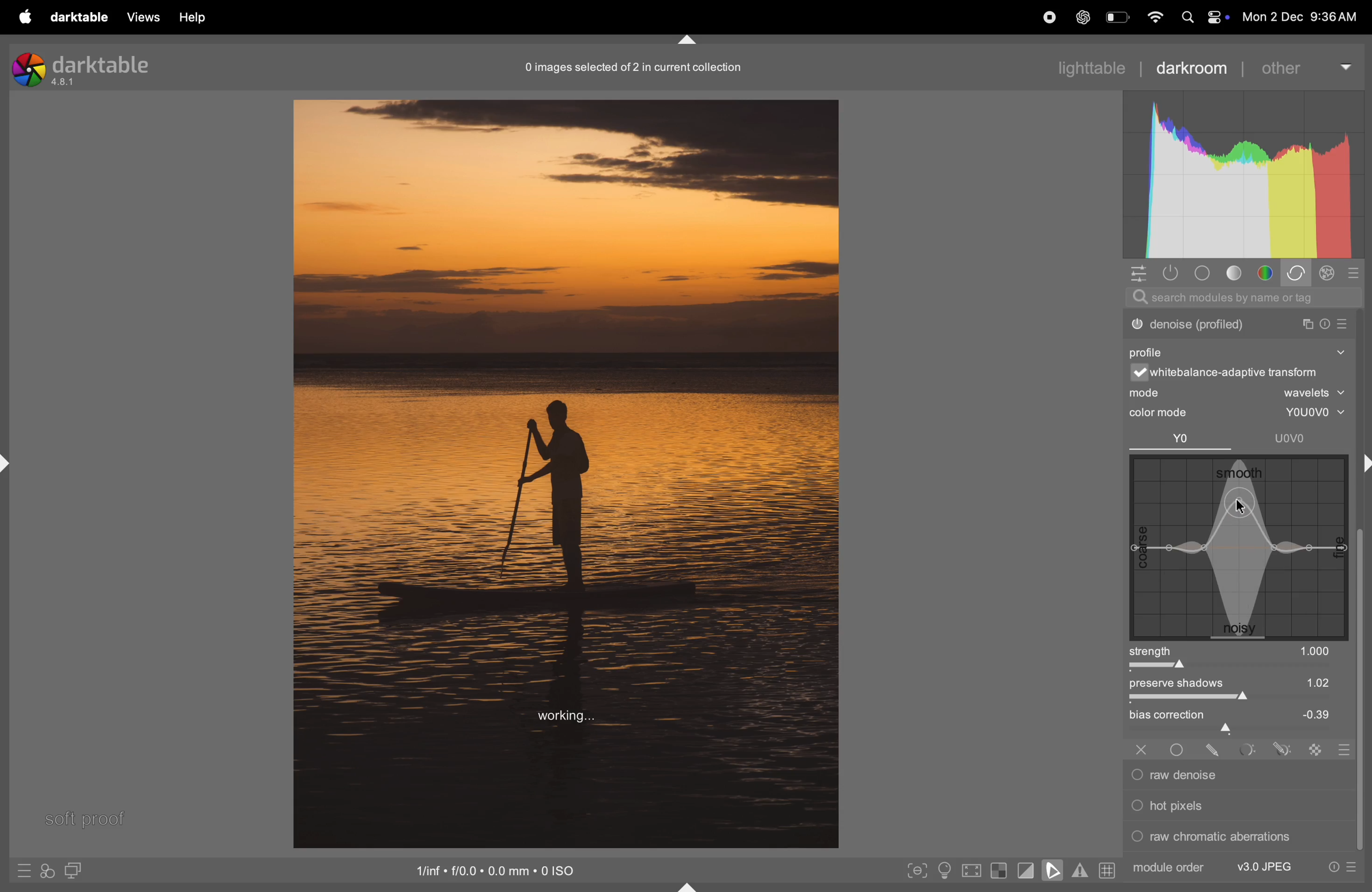 This screenshot has height=892, width=1372. I want to click on image, so click(566, 472).